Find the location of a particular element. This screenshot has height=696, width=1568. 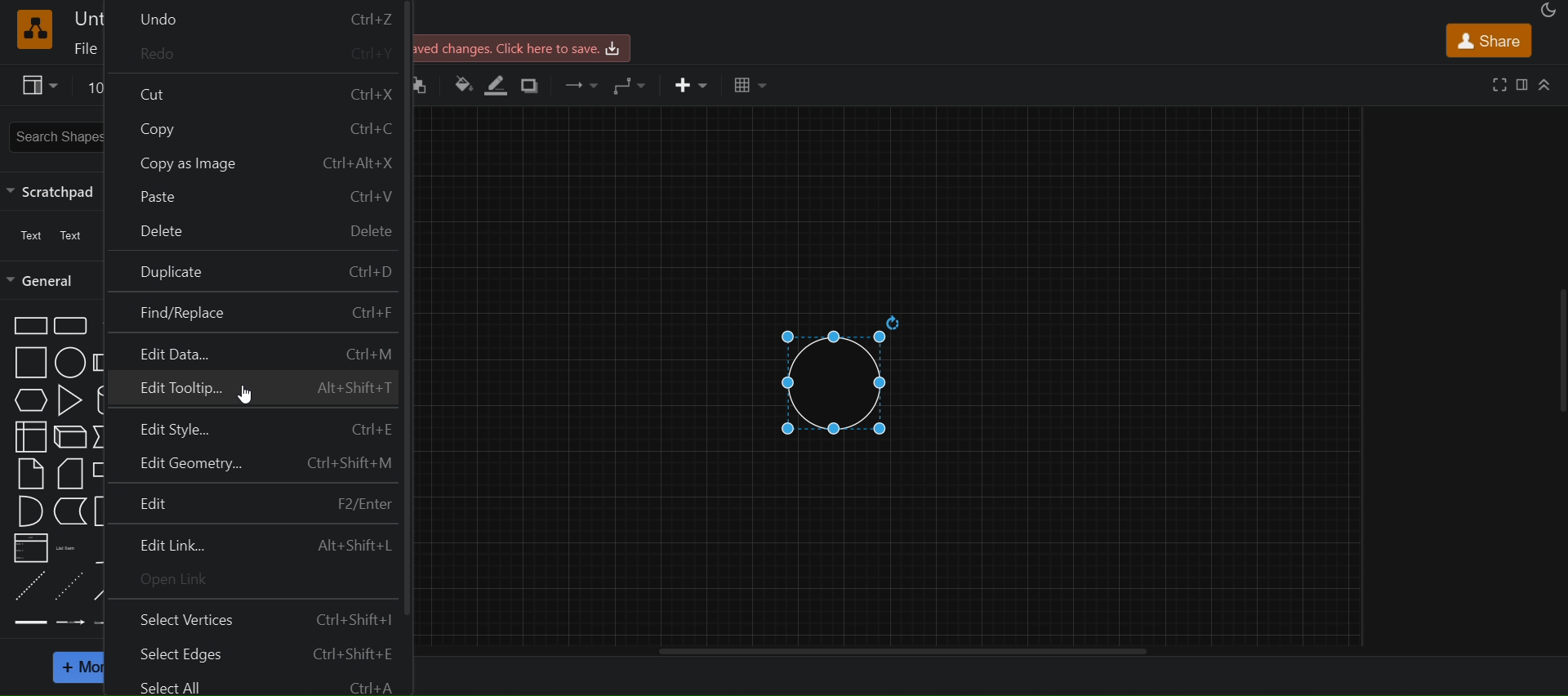

circle is located at coordinates (839, 373).